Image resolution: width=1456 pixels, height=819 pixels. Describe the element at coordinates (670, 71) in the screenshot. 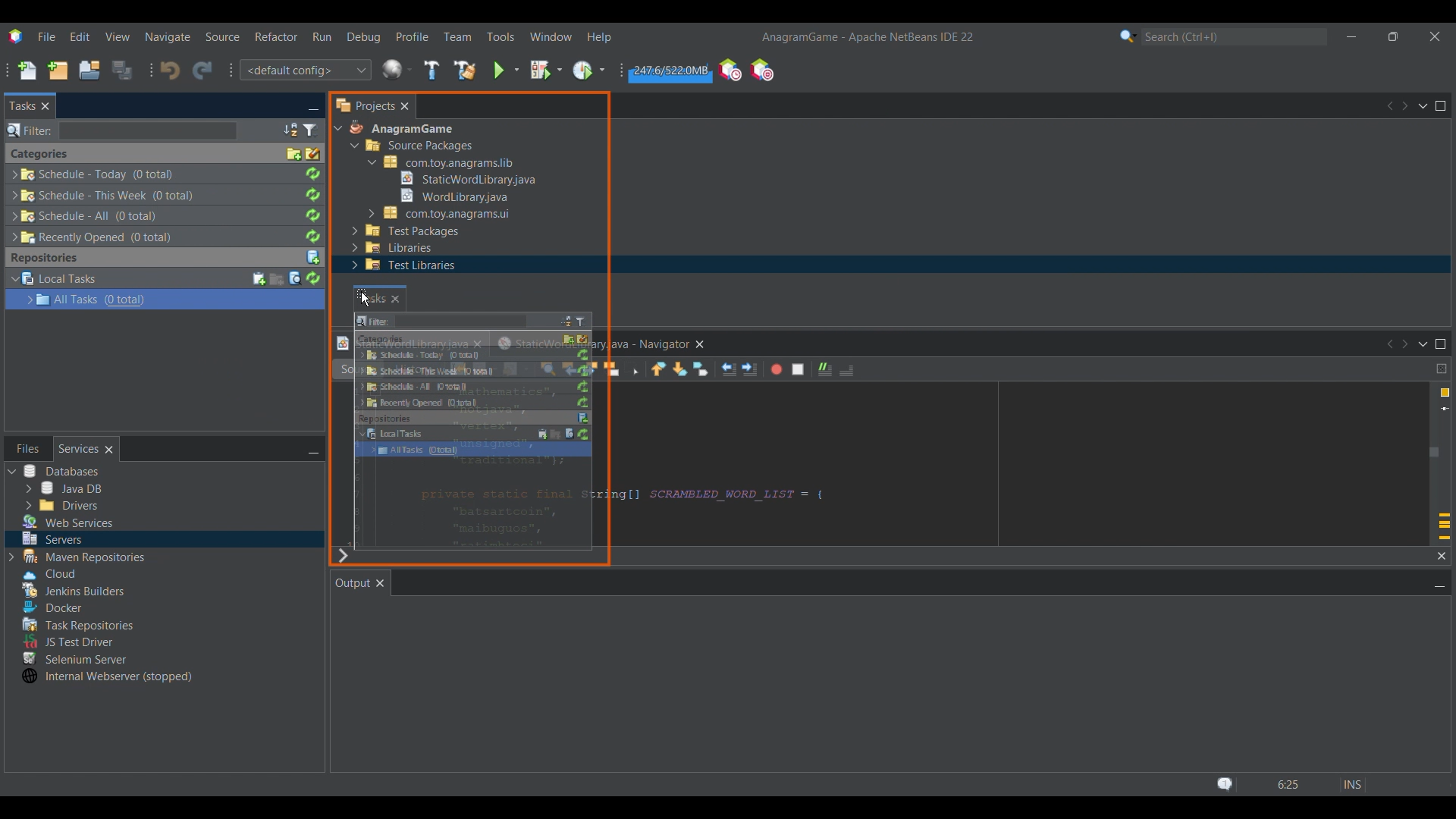

I see `Click to force garbage collection` at that location.